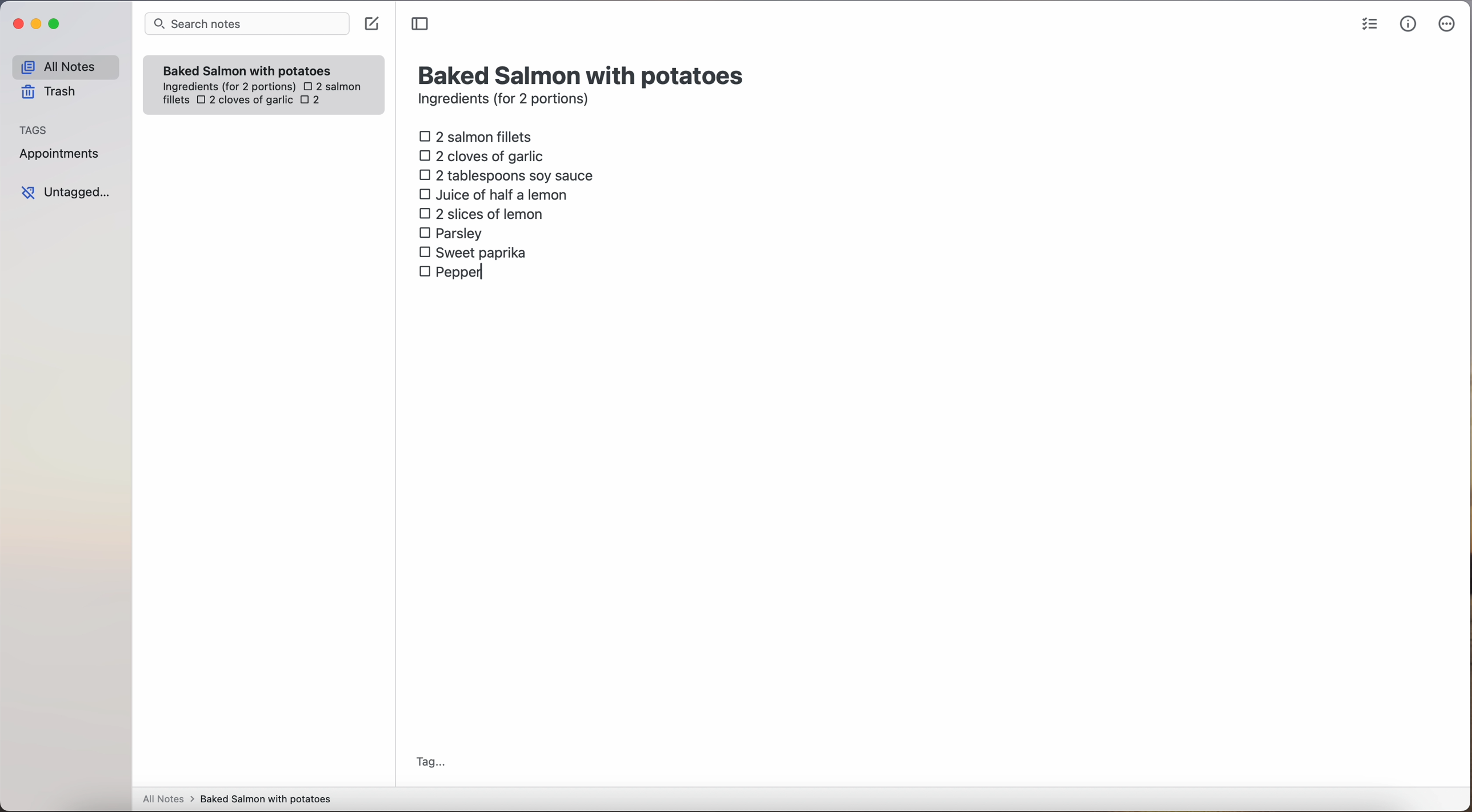 The width and height of the screenshot is (1472, 812). What do you see at coordinates (421, 25) in the screenshot?
I see `toggle sidebar` at bounding box center [421, 25].